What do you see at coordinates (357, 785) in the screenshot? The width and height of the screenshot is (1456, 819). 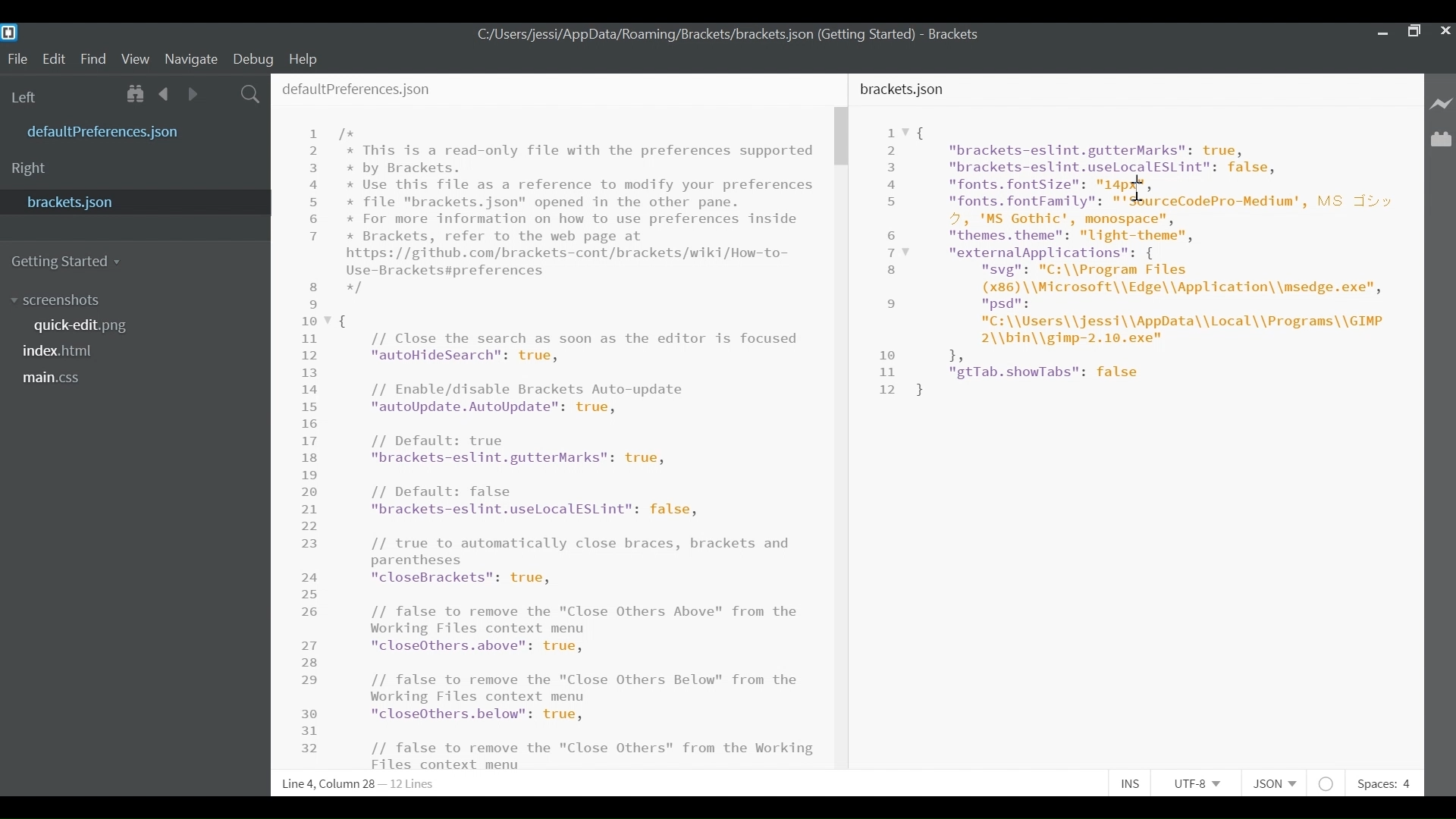 I see `Line 6, Column 18 - 12 Lines` at bounding box center [357, 785].